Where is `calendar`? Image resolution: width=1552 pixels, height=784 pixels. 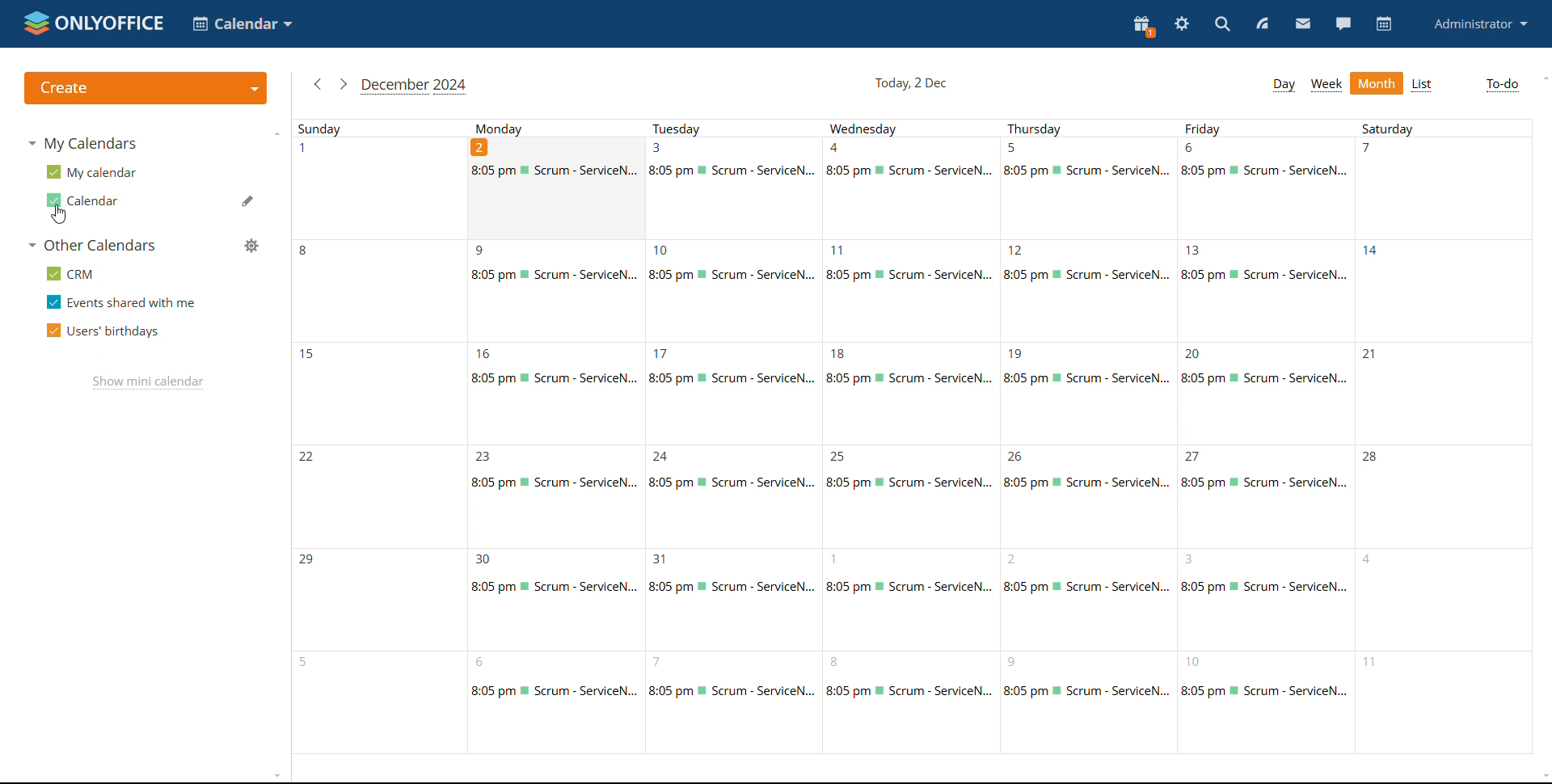
calendar is located at coordinates (1385, 24).